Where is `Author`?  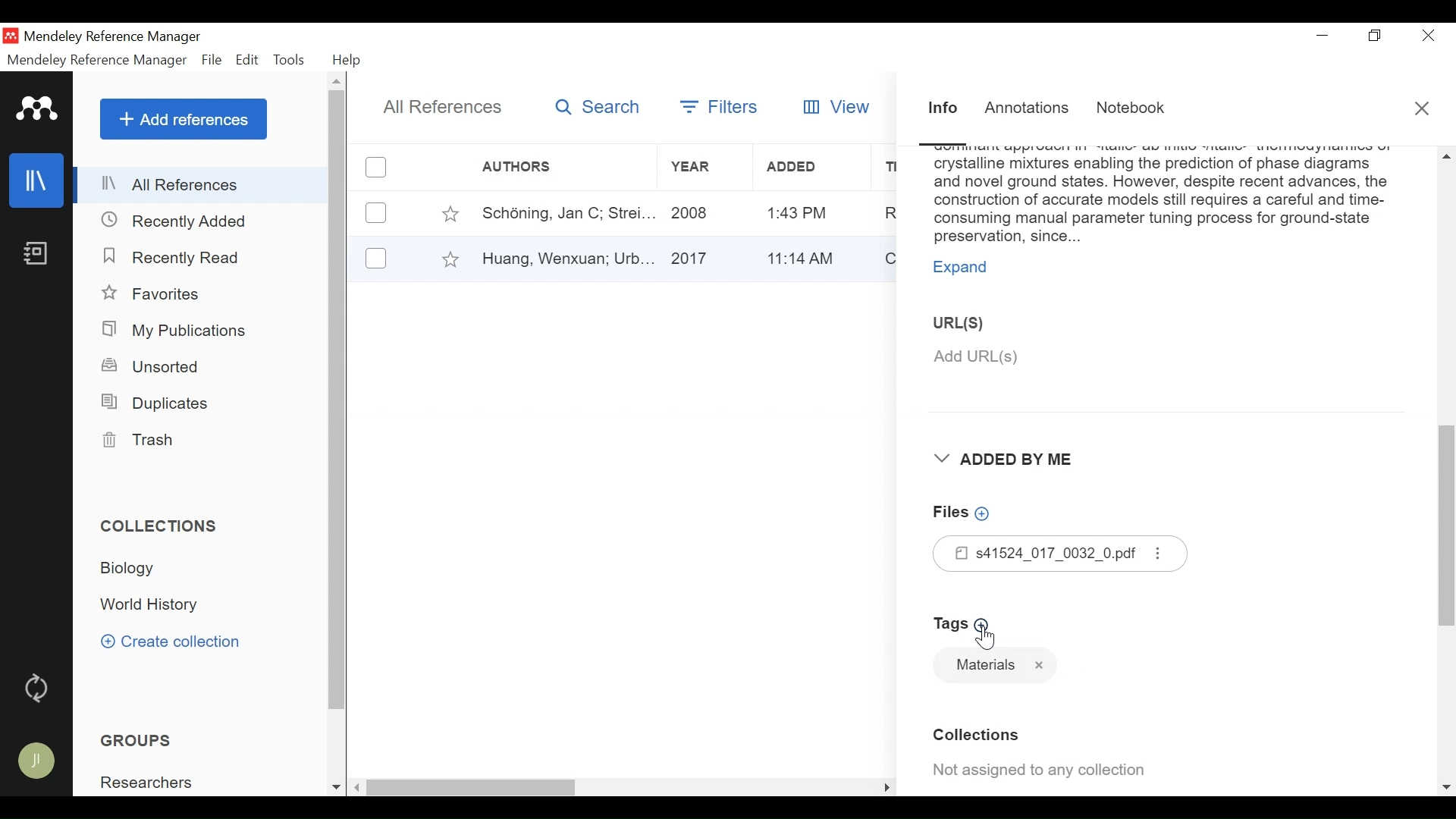
Author is located at coordinates (542, 167).